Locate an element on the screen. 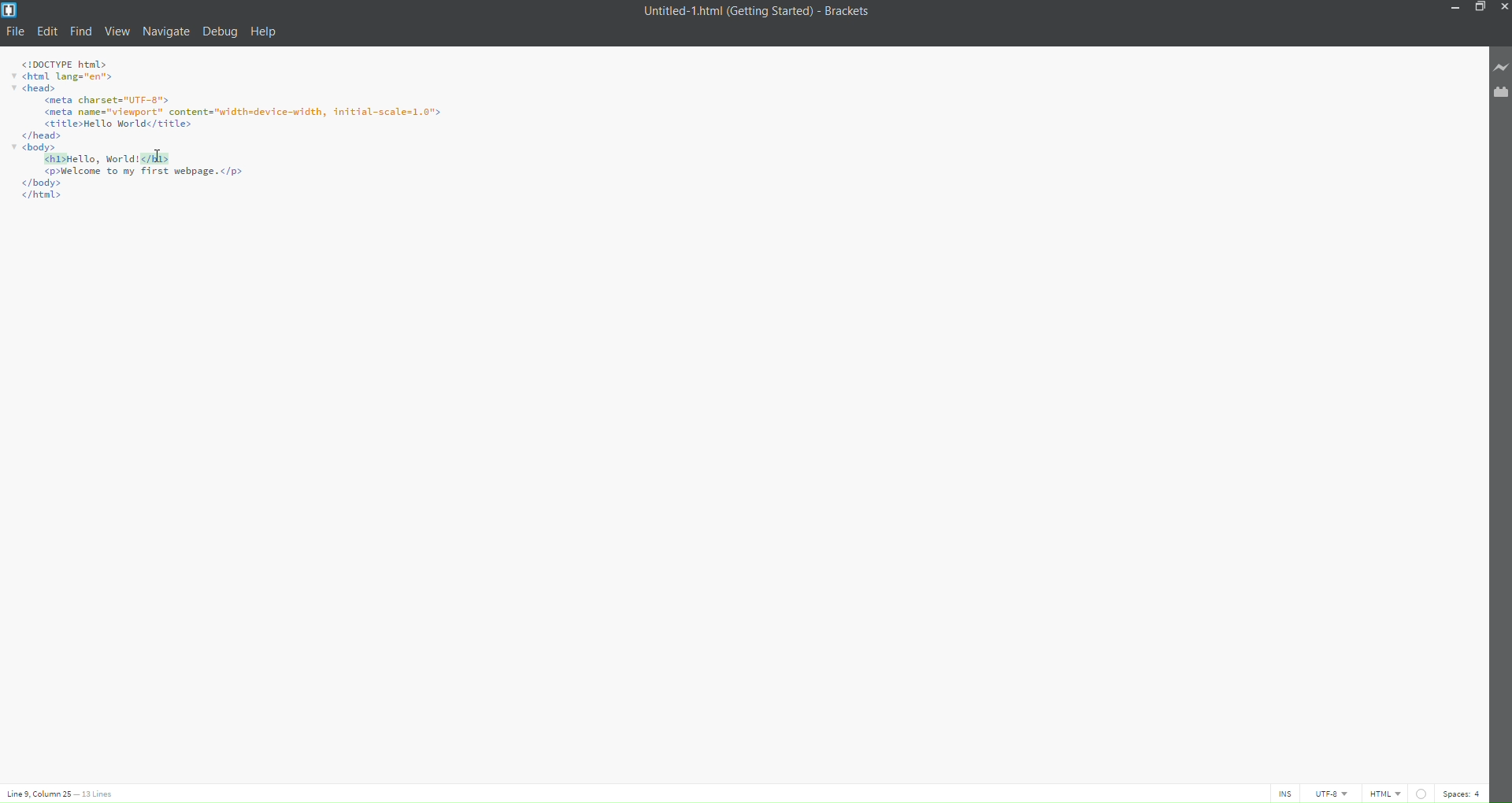 The height and width of the screenshot is (803, 1512). debug is located at coordinates (219, 35).